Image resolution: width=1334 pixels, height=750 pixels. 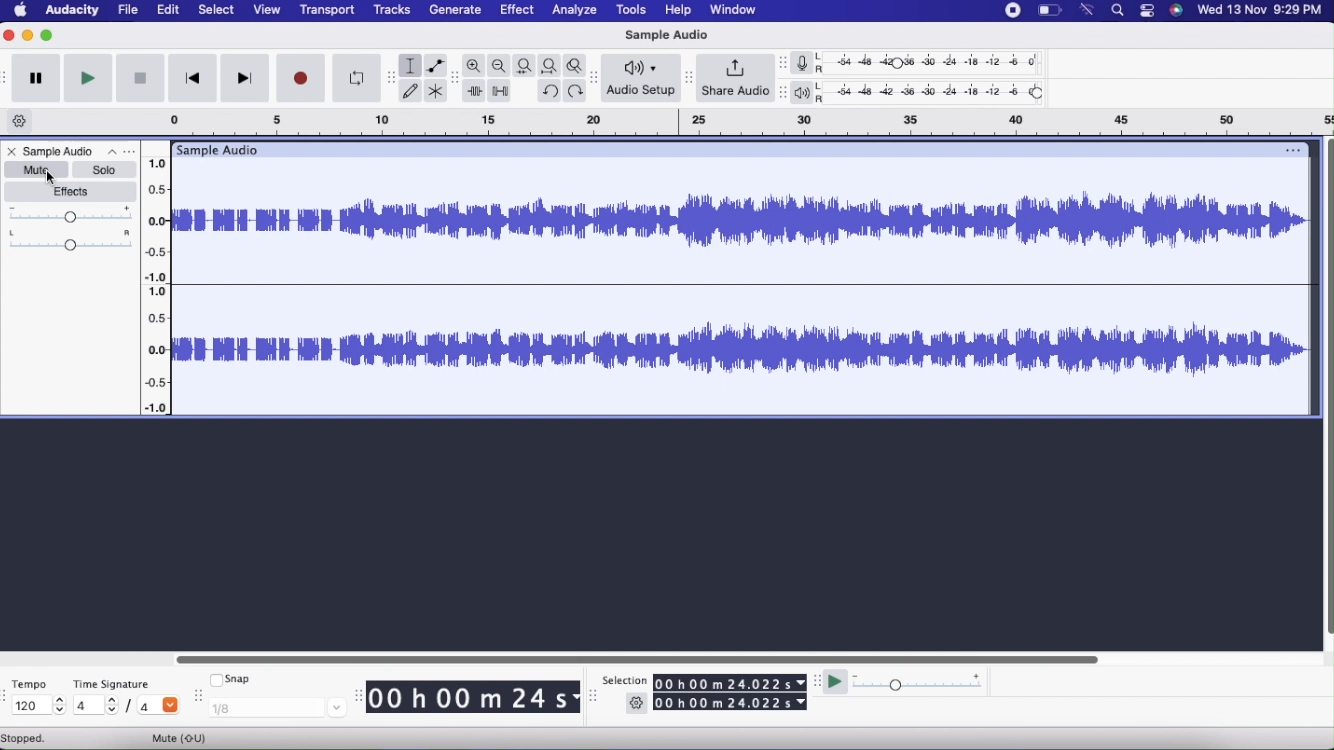 I want to click on Envelope tool, so click(x=436, y=65).